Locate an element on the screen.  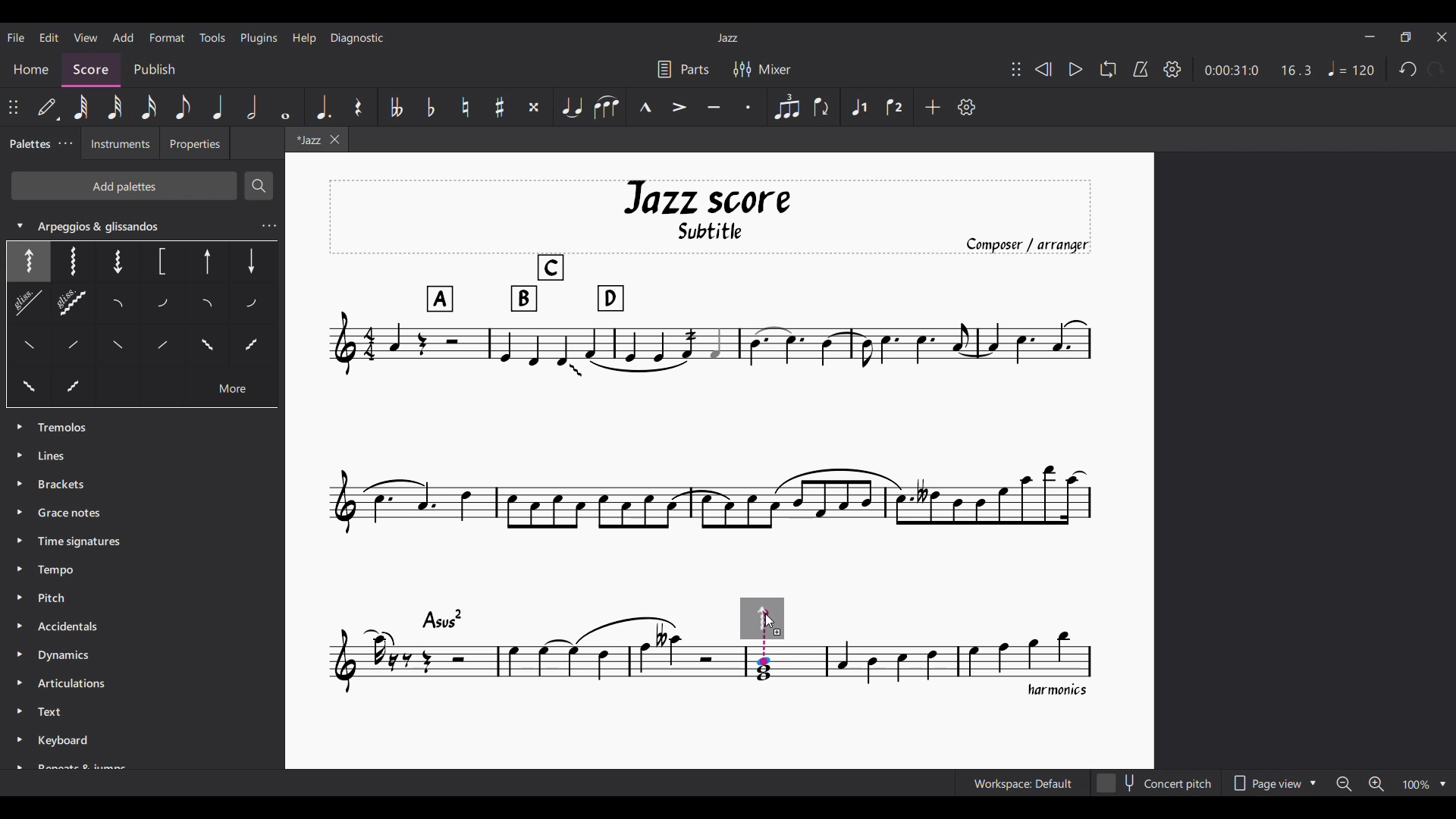
Rewind is located at coordinates (1043, 69).